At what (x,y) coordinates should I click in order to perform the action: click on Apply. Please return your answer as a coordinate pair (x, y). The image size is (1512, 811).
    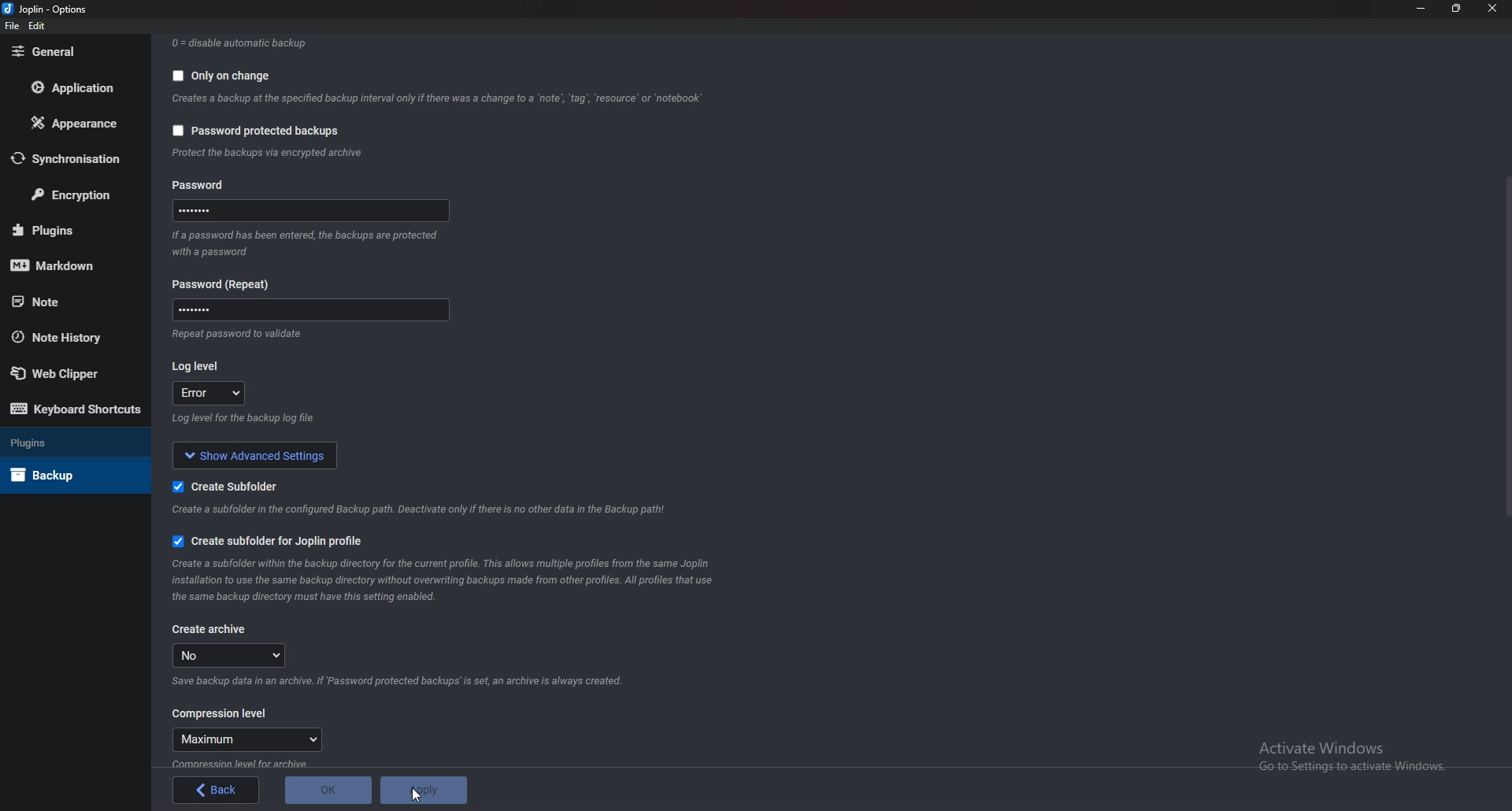
    Looking at the image, I should click on (421, 789).